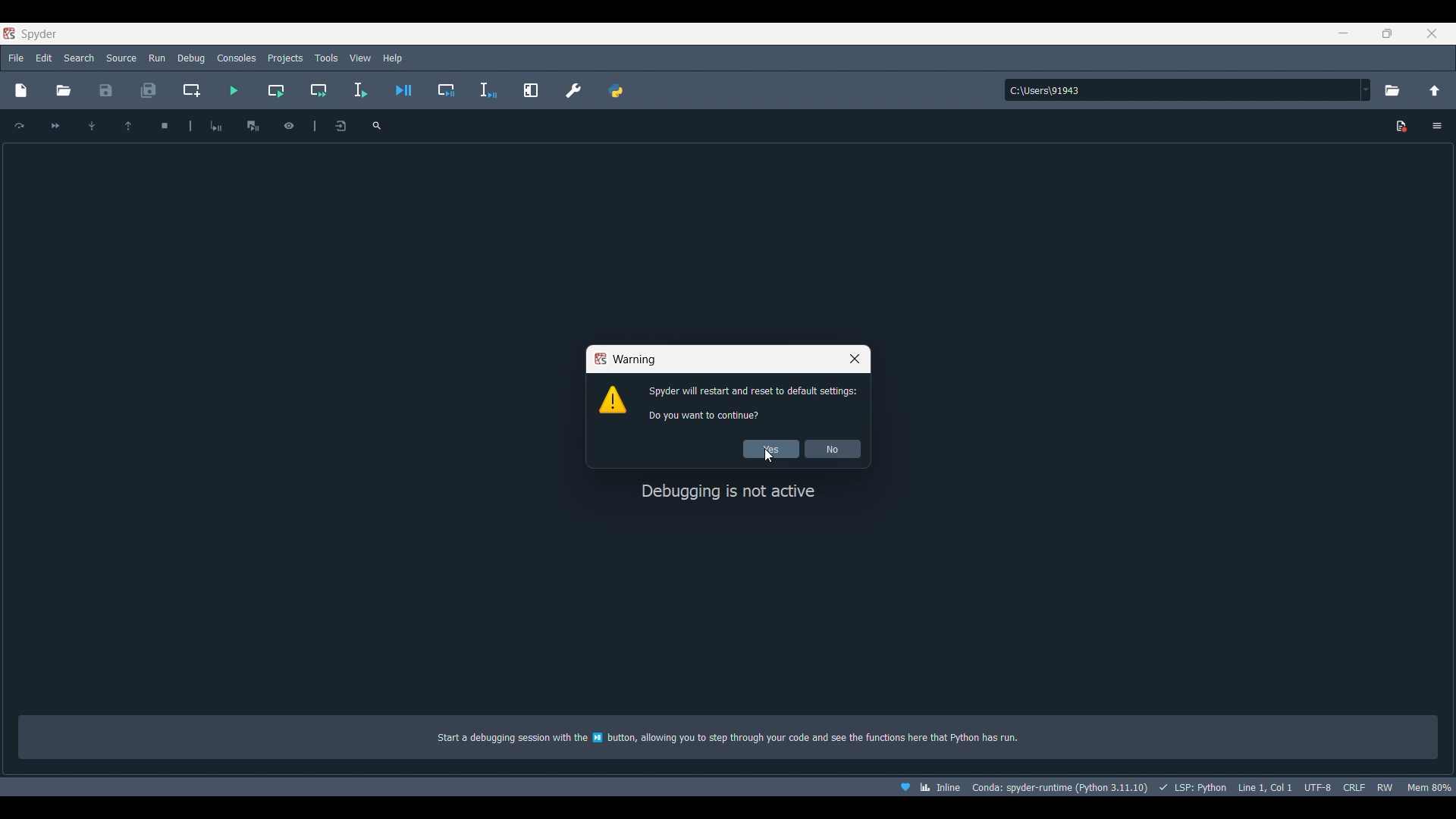 This screenshot has height=819, width=1456. What do you see at coordinates (1436, 125) in the screenshot?
I see `Options` at bounding box center [1436, 125].